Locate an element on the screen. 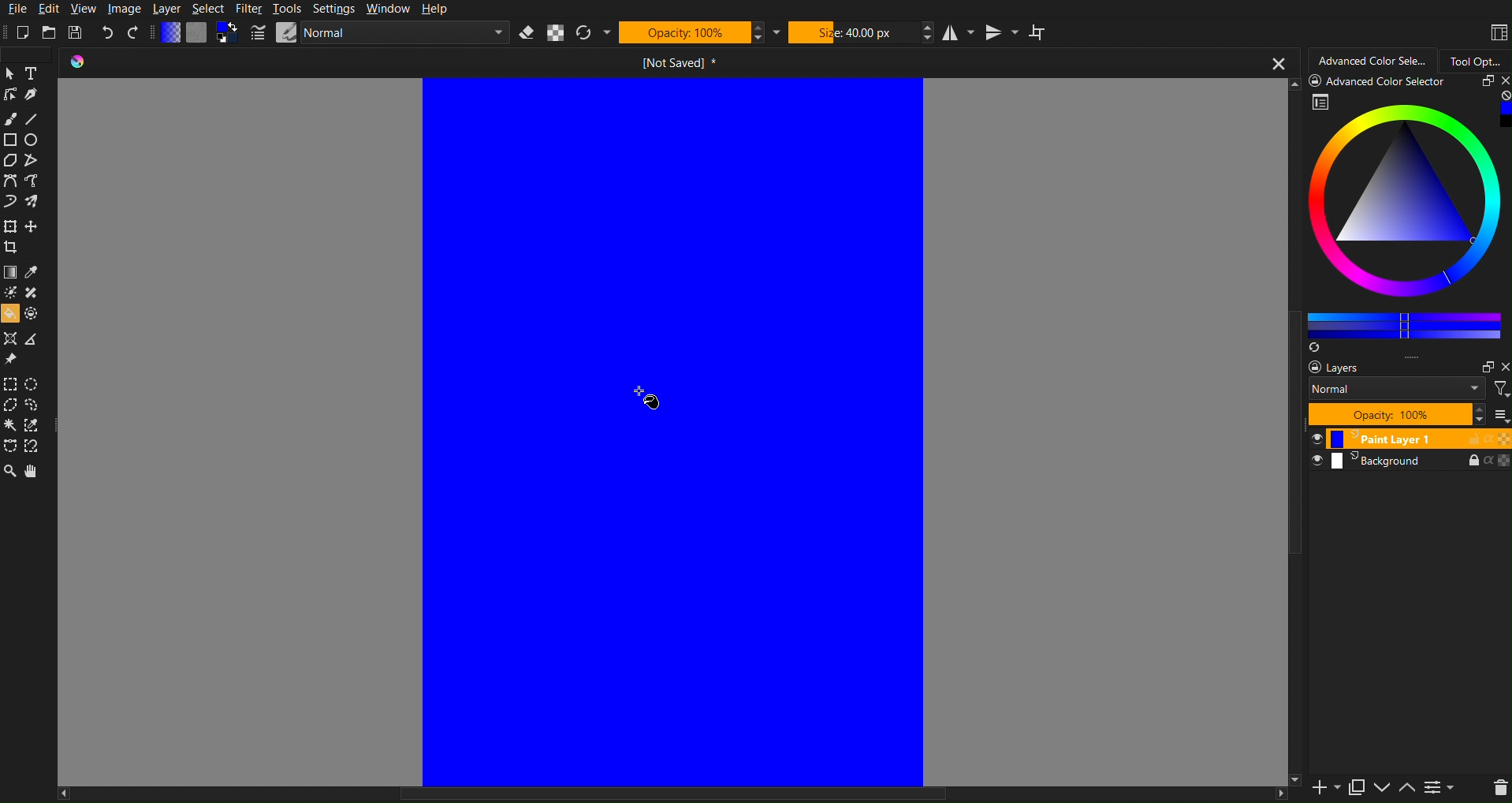 The height and width of the screenshot is (803, 1512). Help is located at coordinates (434, 9).